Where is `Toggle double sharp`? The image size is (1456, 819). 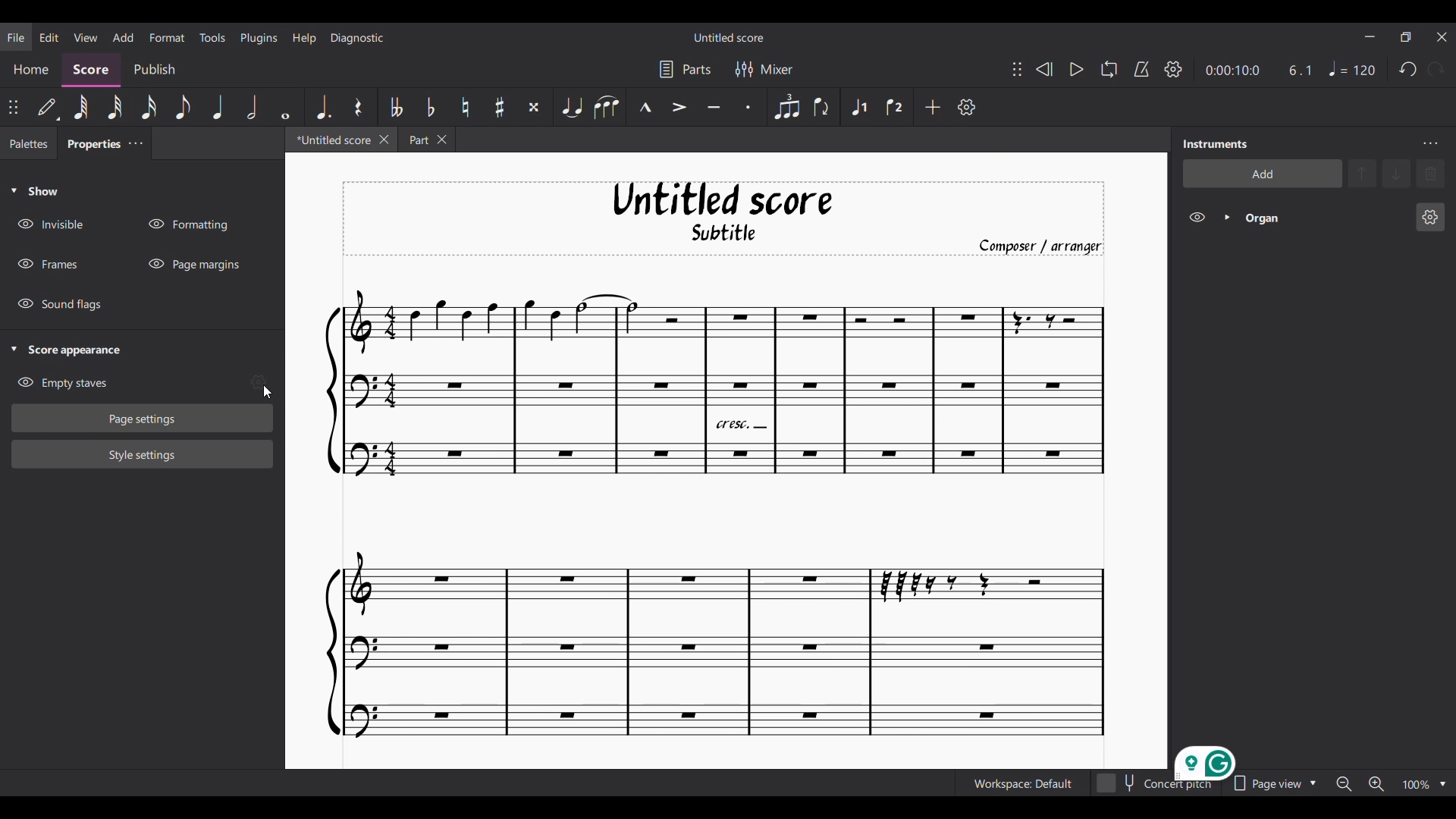 Toggle double sharp is located at coordinates (532, 107).